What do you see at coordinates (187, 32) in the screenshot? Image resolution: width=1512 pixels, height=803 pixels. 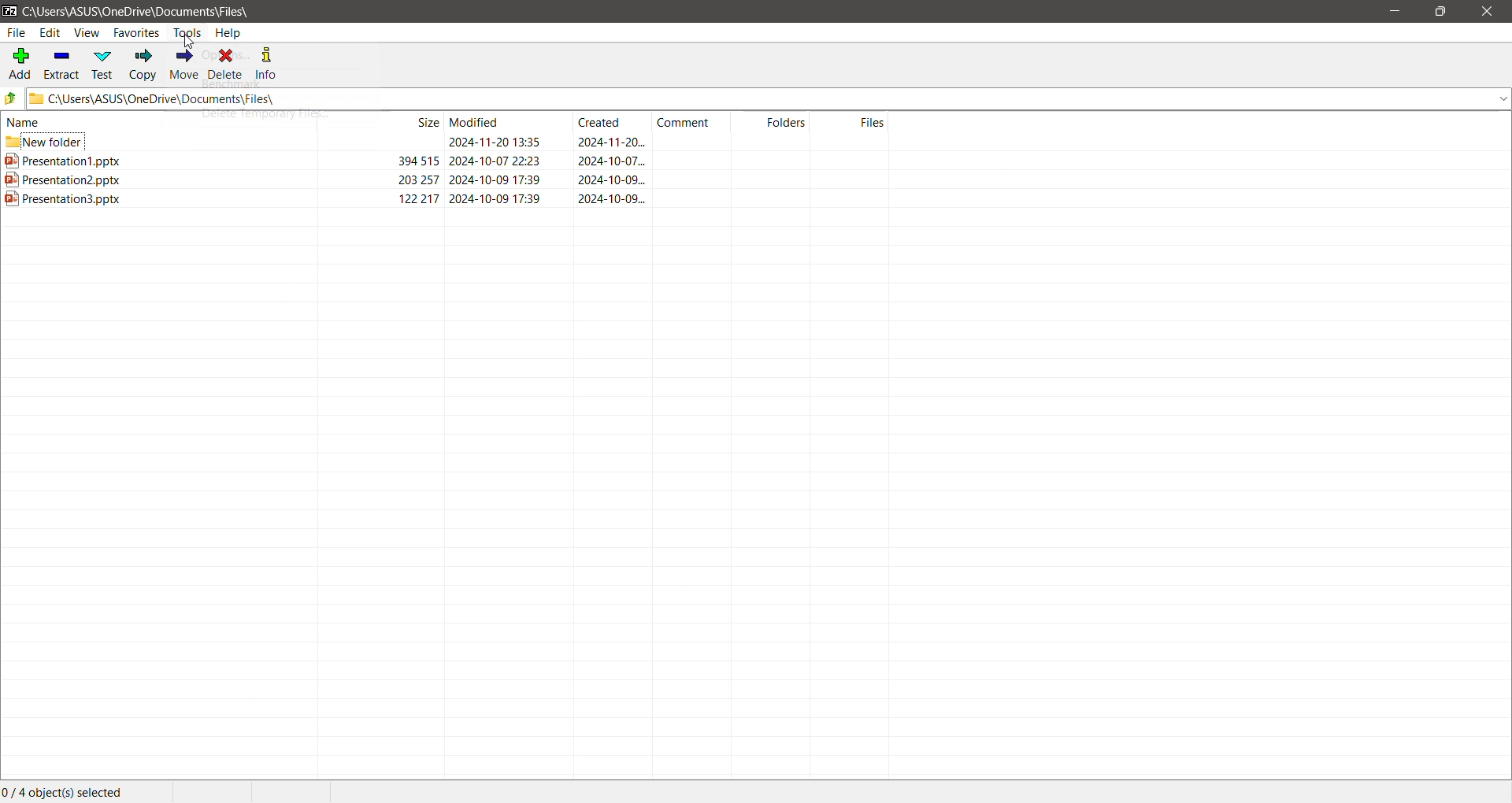 I see `Tools` at bounding box center [187, 32].